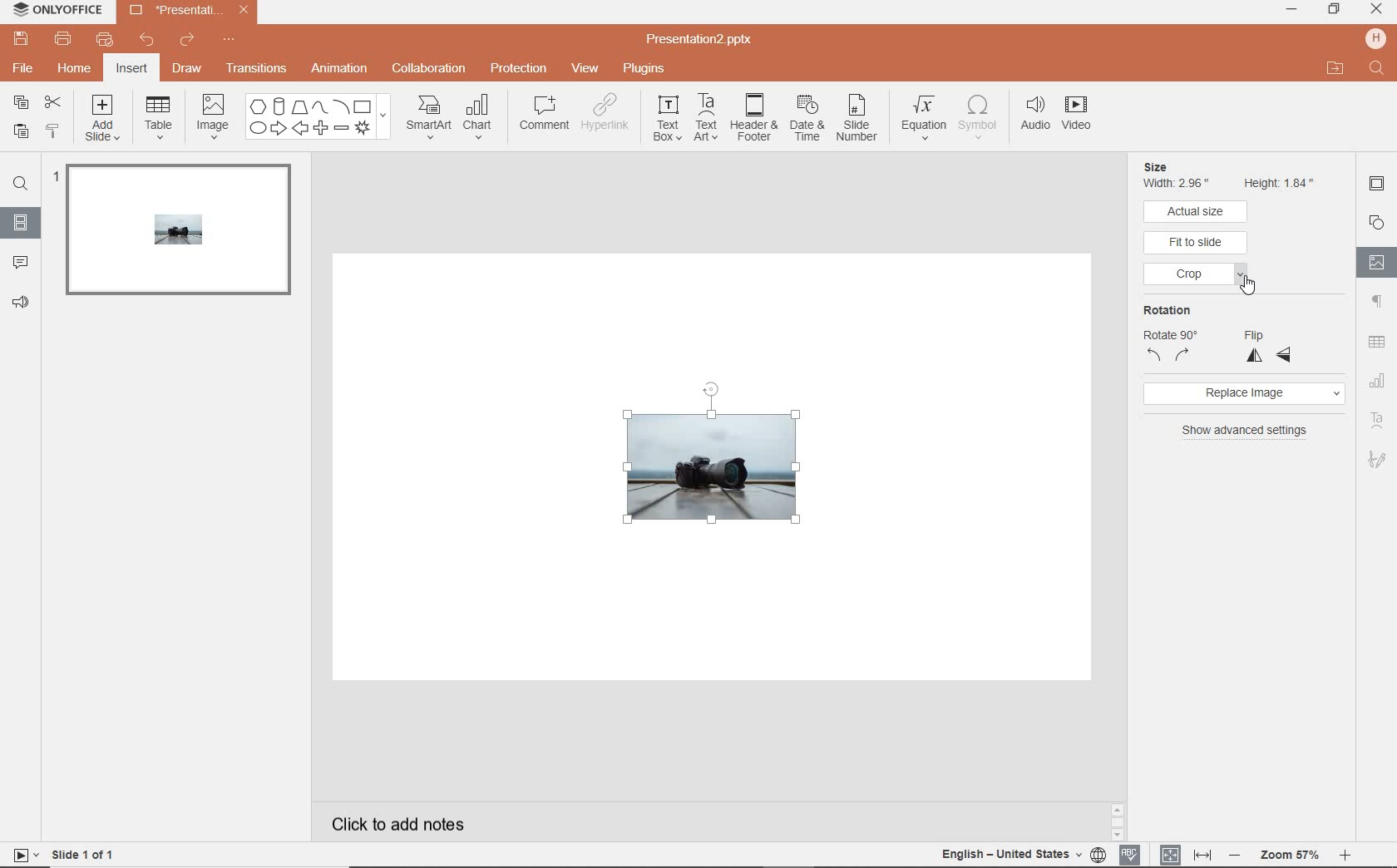 The image size is (1397, 868). What do you see at coordinates (483, 118) in the screenshot?
I see `chart` at bounding box center [483, 118].